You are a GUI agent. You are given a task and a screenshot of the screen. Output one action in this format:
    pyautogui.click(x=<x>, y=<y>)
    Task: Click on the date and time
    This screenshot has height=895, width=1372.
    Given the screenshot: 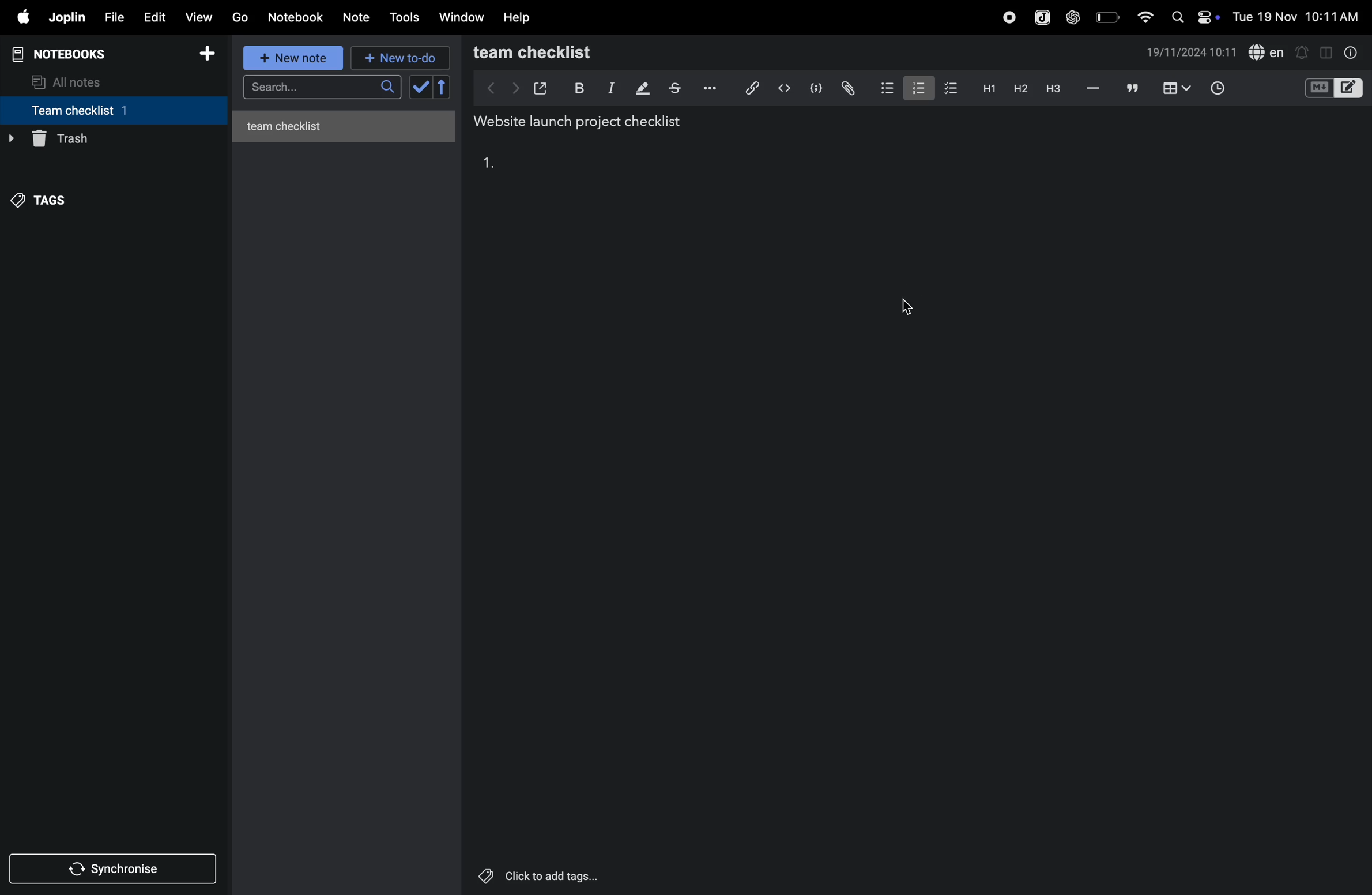 What is the action you would take?
    pyautogui.click(x=1297, y=17)
    